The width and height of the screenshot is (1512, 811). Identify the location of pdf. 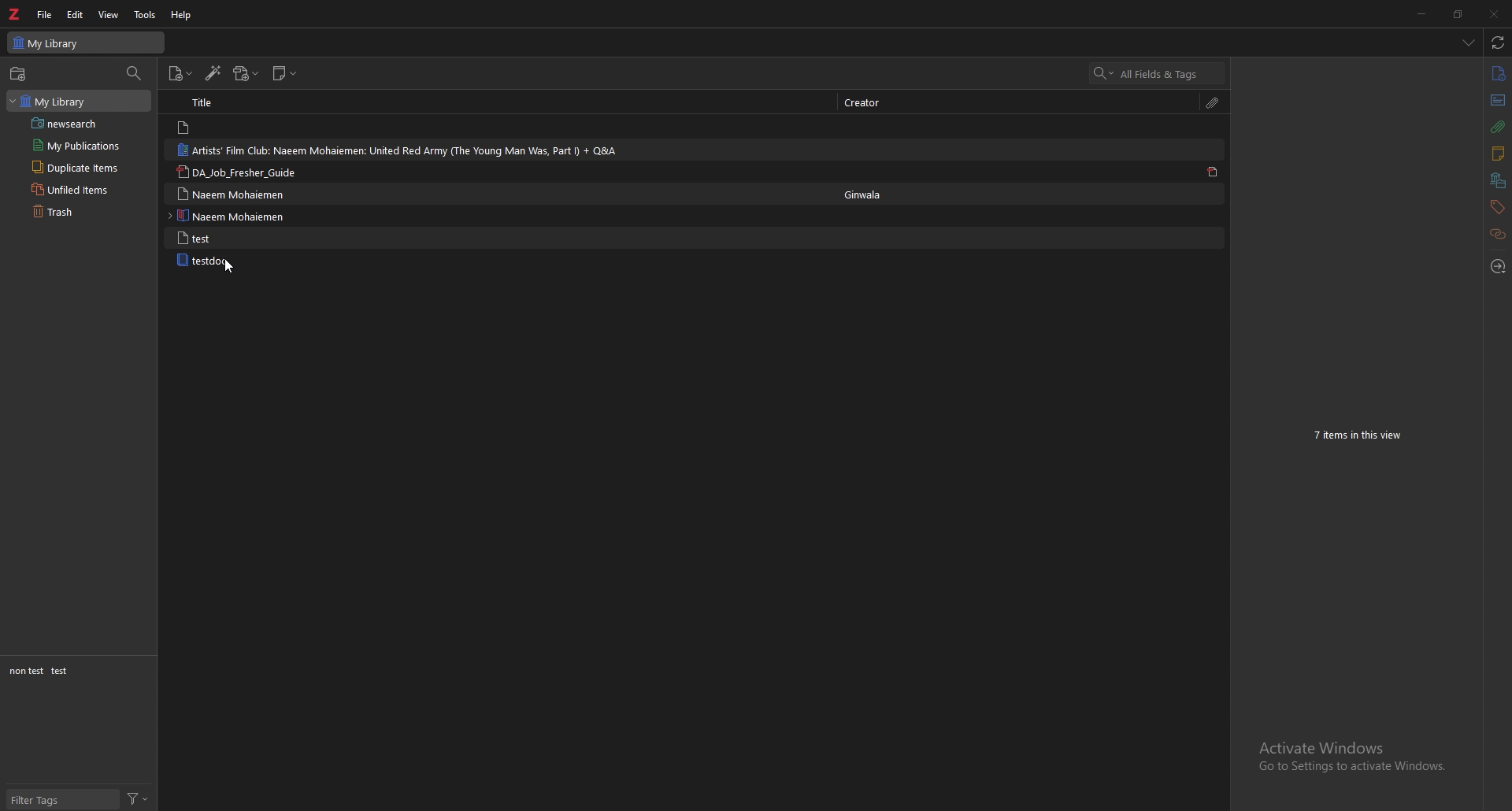
(1212, 172).